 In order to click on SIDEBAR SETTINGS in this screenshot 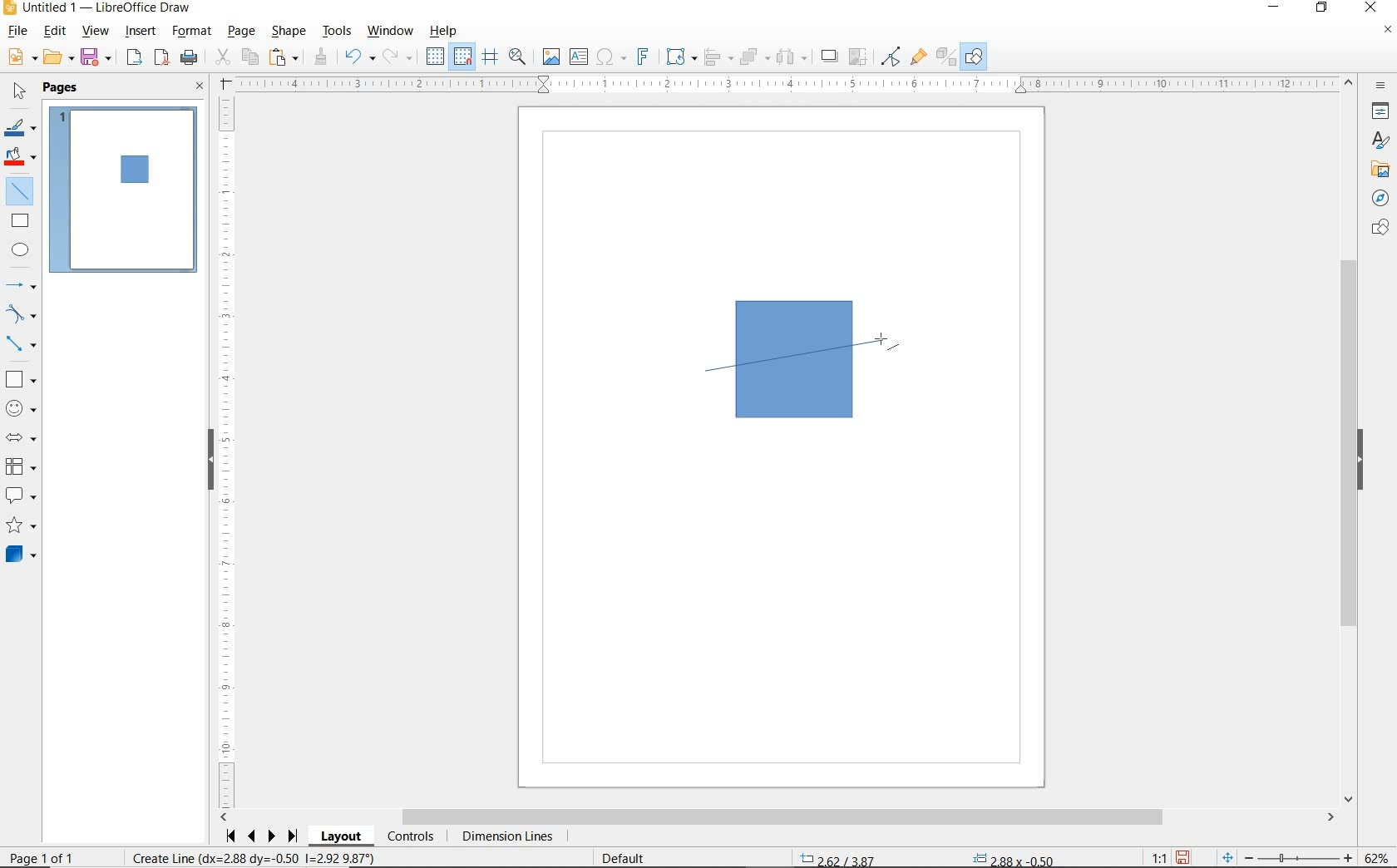, I will do `click(1382, 86)`.